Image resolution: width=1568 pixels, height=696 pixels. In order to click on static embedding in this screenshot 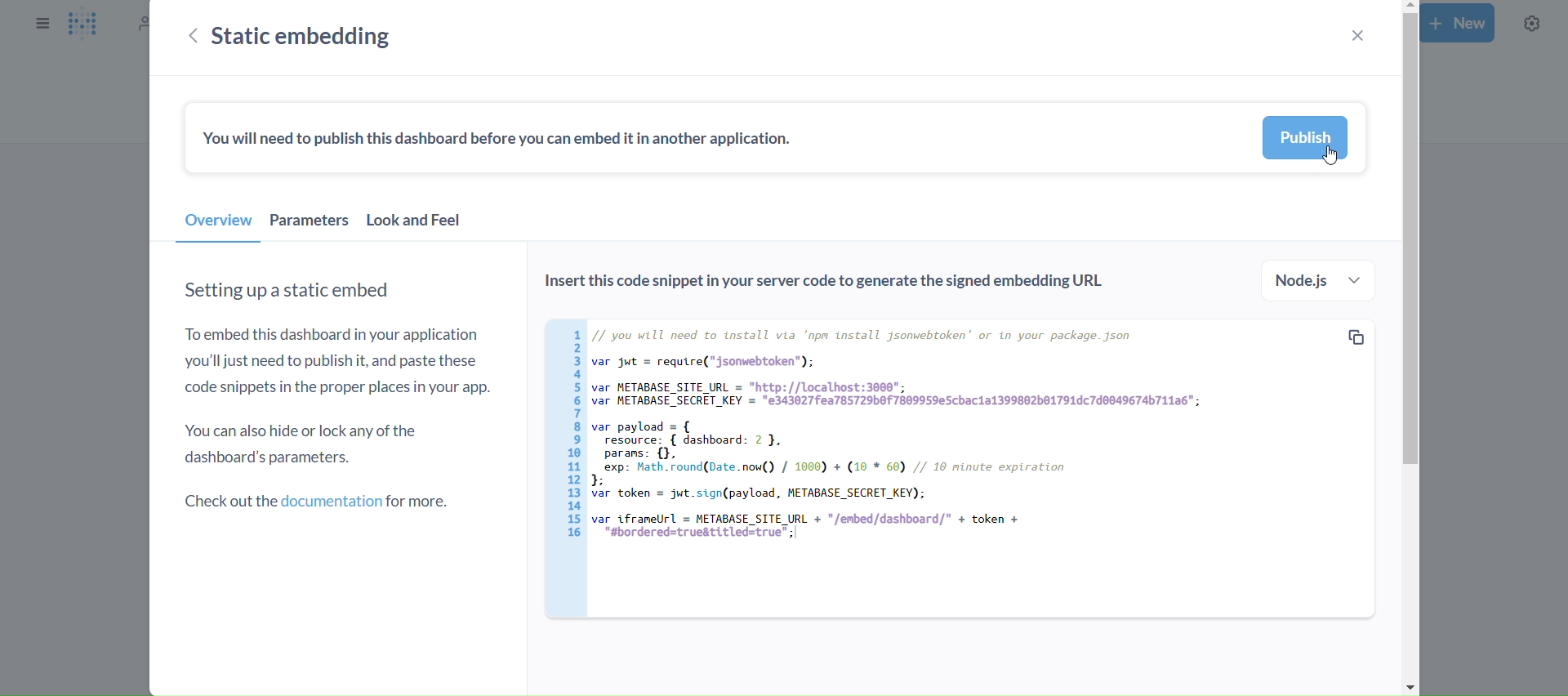, I will do `click(306, 36)`.